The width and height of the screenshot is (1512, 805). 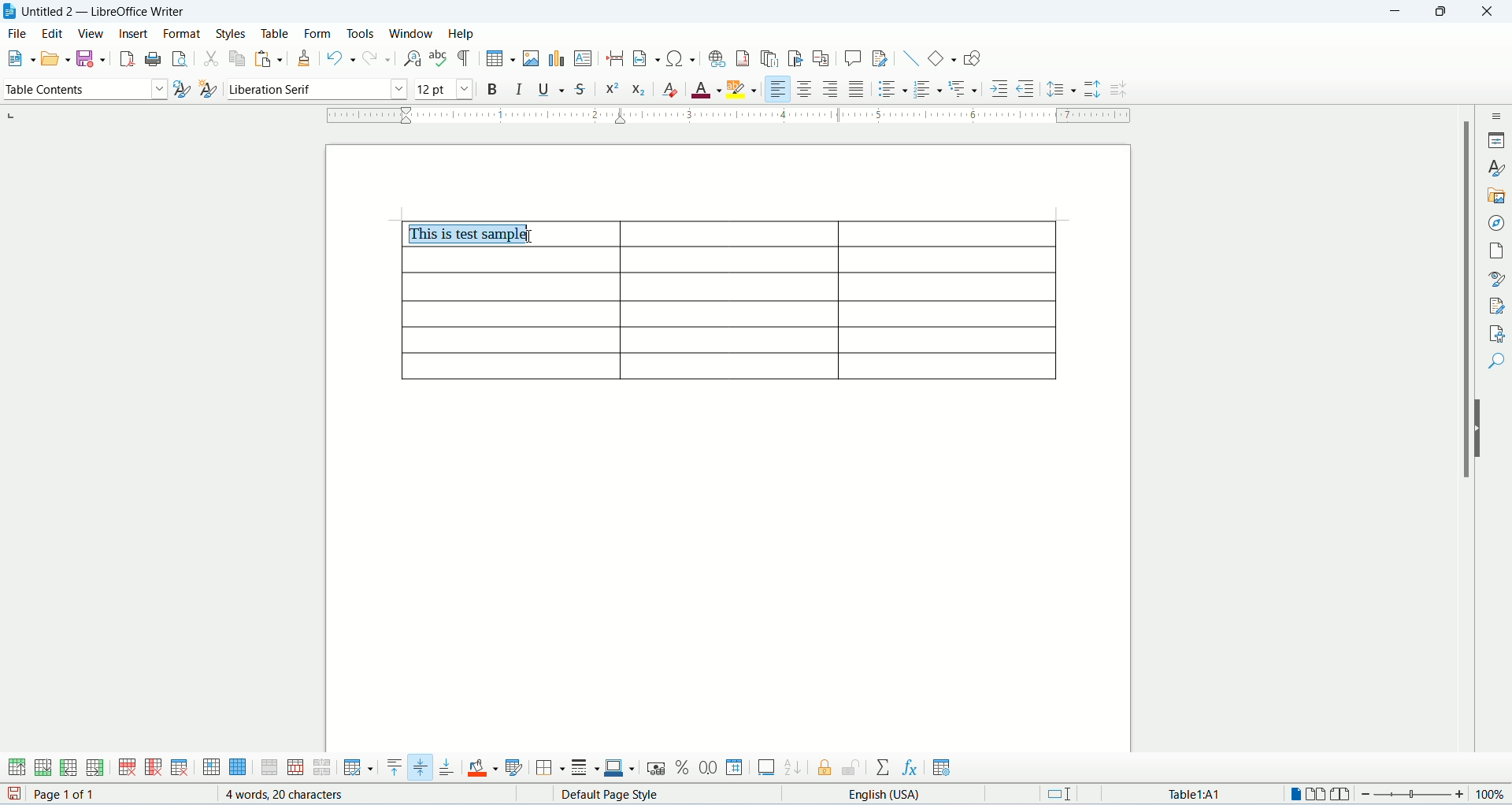 I want to click on draw functions, so click(x=973, y=57).